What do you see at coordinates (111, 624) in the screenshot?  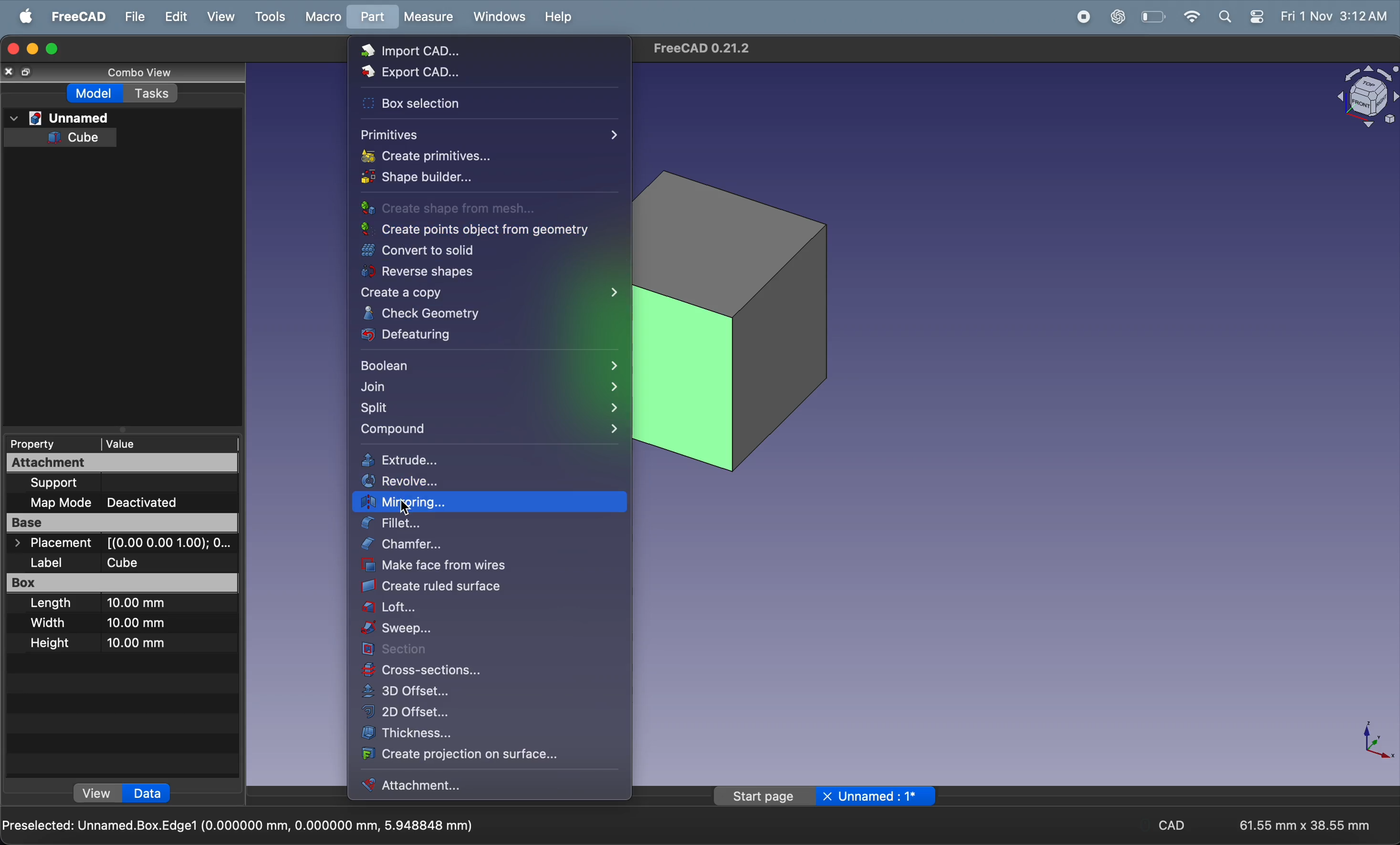 I see `Width      10.00 mm` at bounding box center [111, 624].